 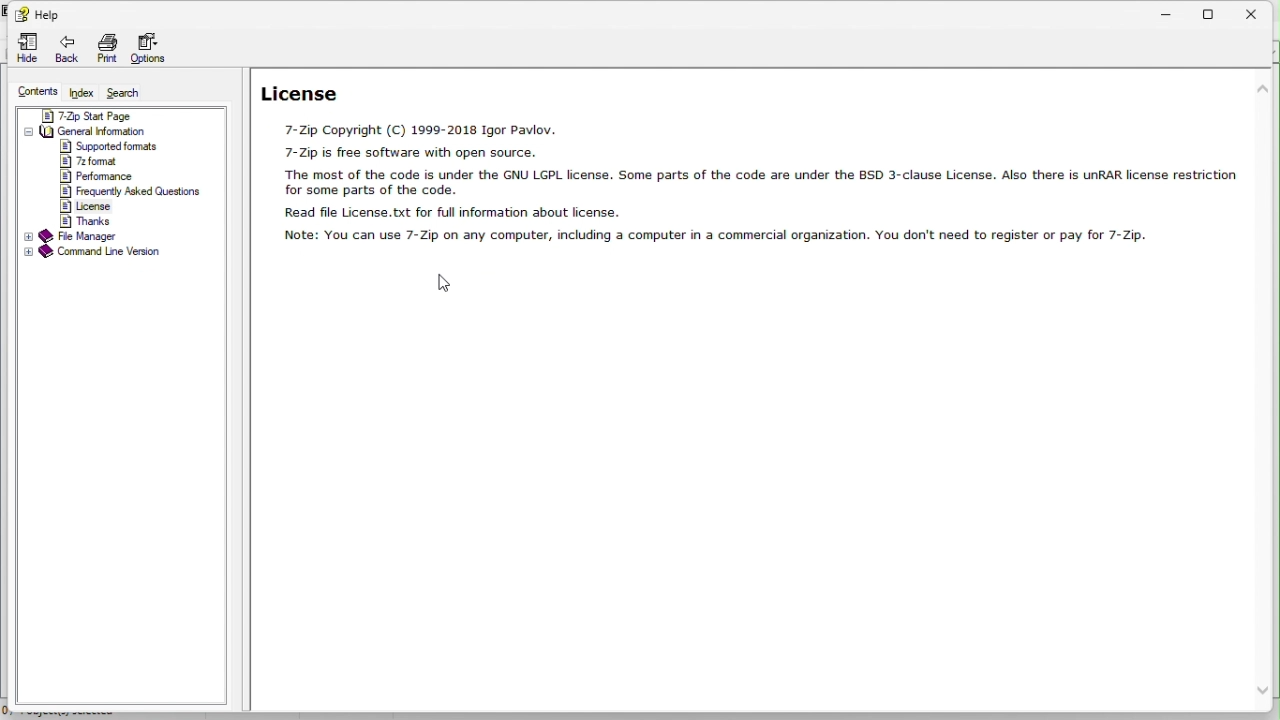 I want to click on Thanks, so click(x=84, y=220).